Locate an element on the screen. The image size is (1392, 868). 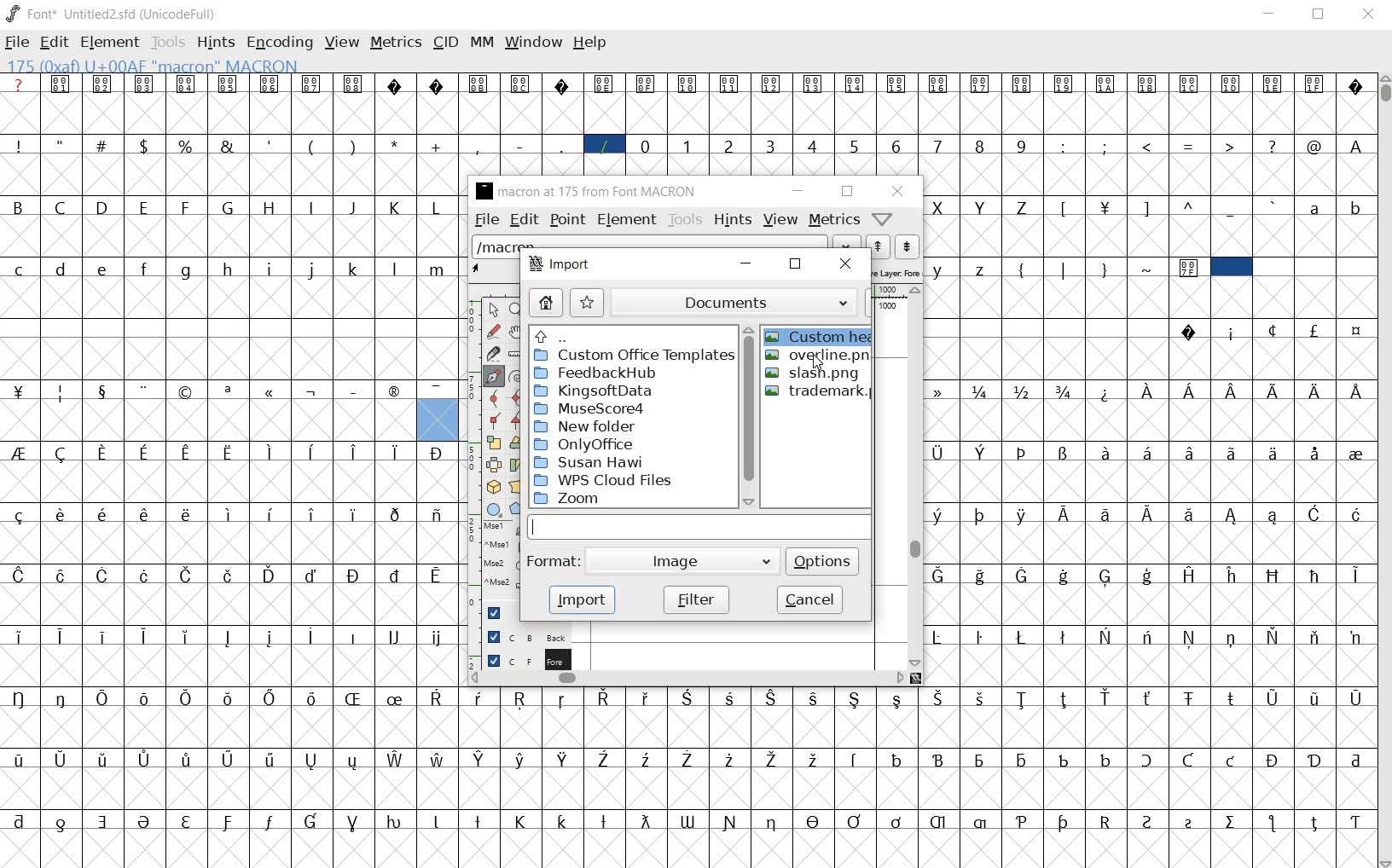
KingsoftData is located at coordinates (609, 391).